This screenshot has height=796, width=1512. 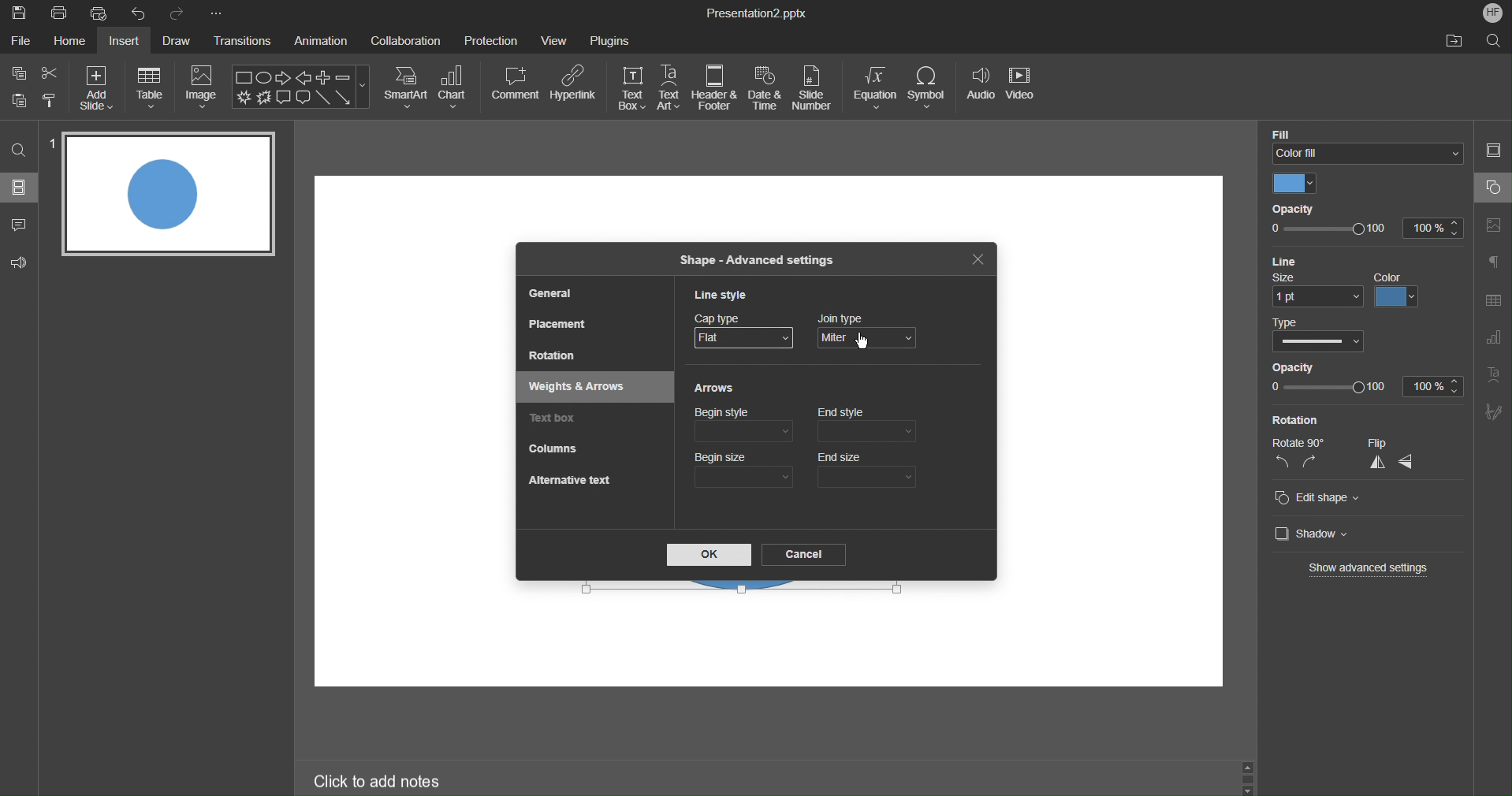 What do you see at coordinates (1394, 442) in the screenshot?
I see `Flip` at bounding box center [1394, 442].